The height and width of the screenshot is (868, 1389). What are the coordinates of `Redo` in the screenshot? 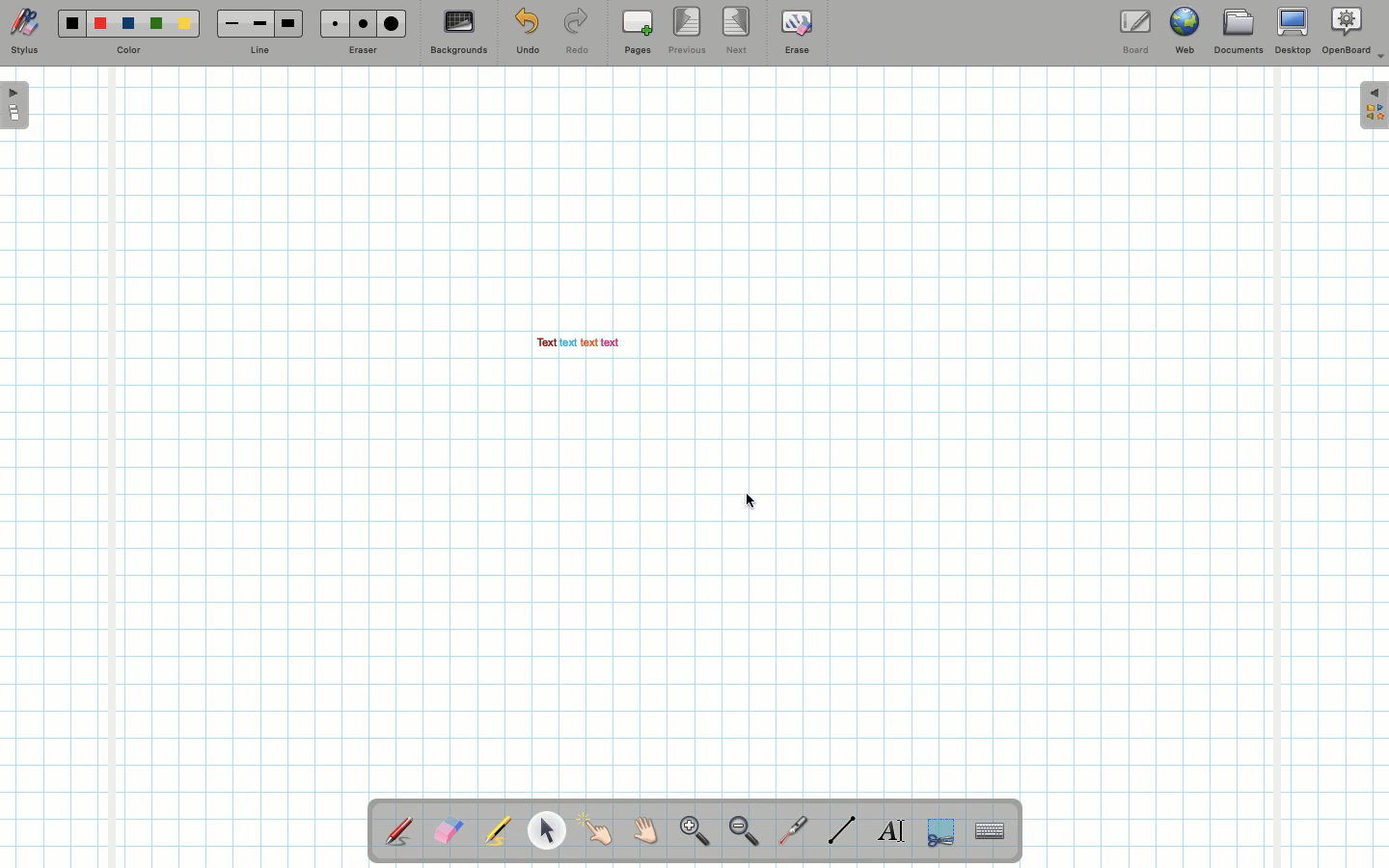 It's located at (577, 35).